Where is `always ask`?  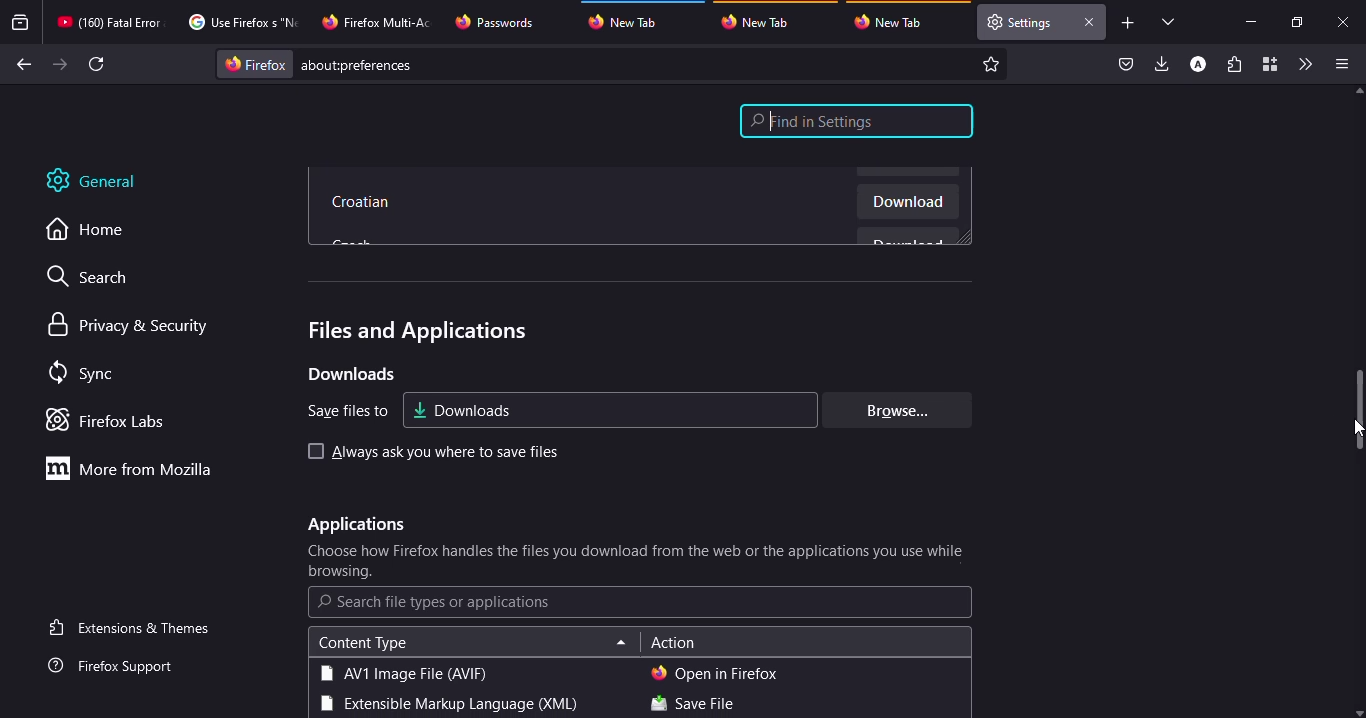 always ask is located at coordinates (445, 453).